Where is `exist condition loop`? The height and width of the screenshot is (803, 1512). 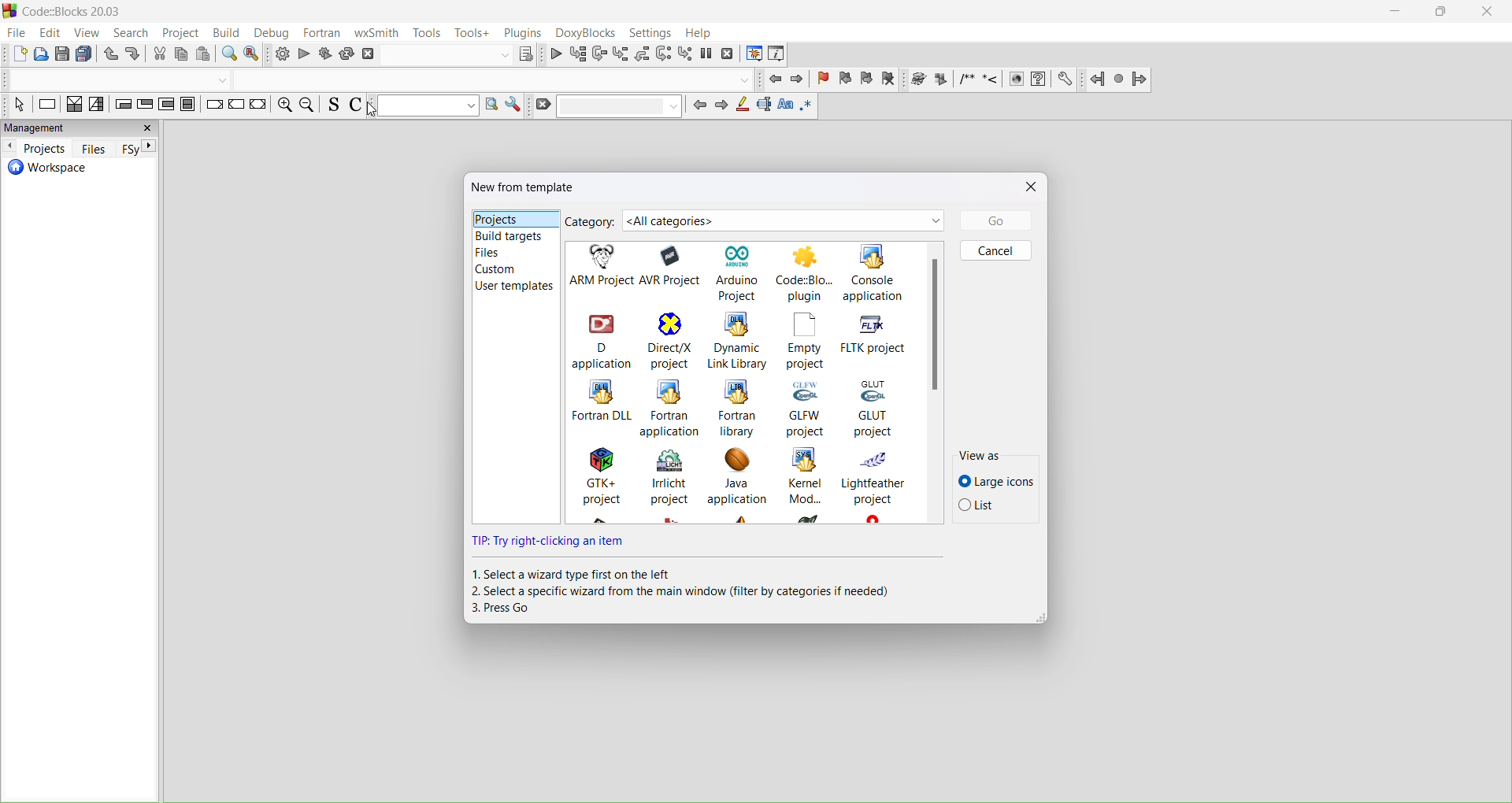 exist condition loop is located at coordinates (145, 104).